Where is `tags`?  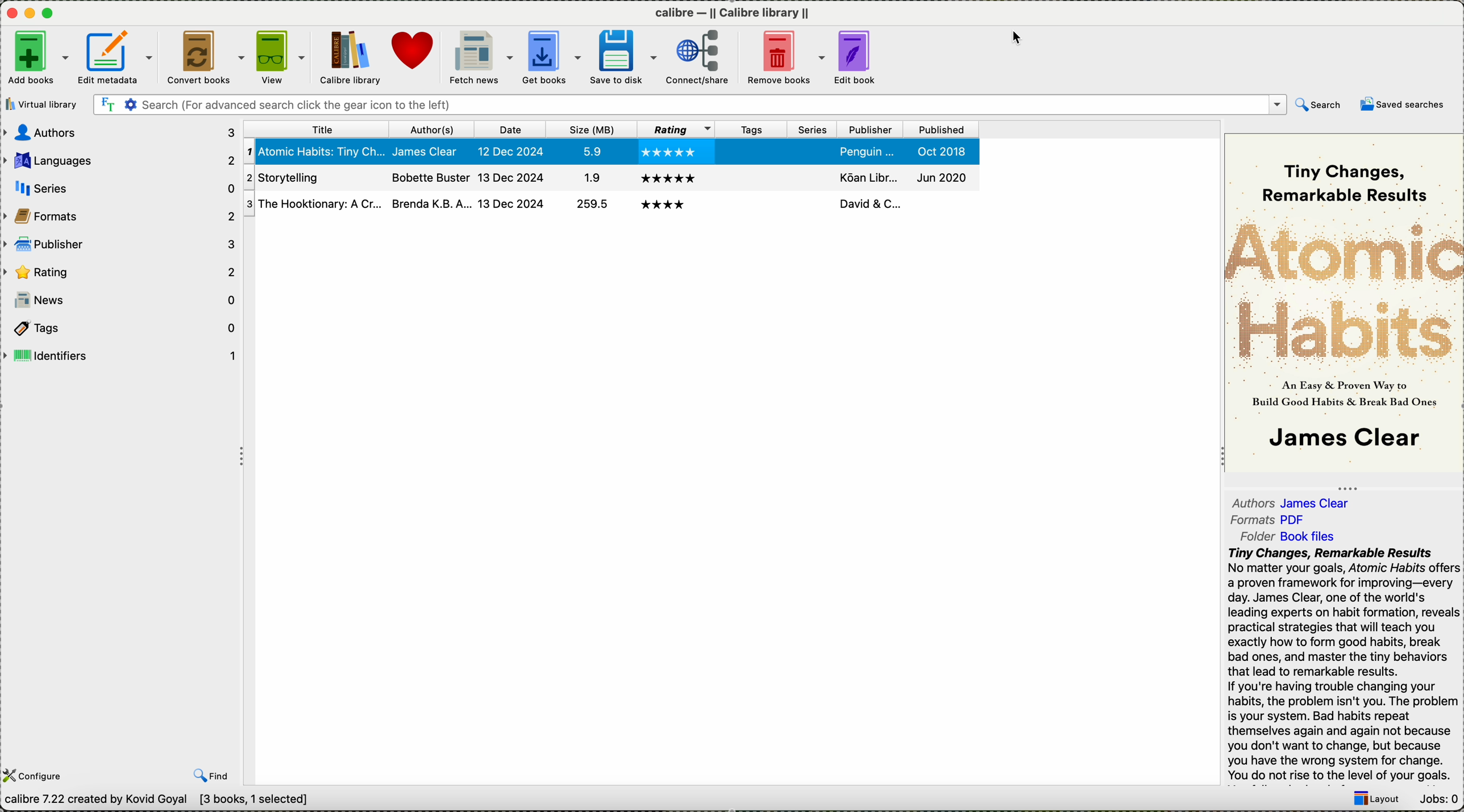 tags is located at coordinates (748, 177).